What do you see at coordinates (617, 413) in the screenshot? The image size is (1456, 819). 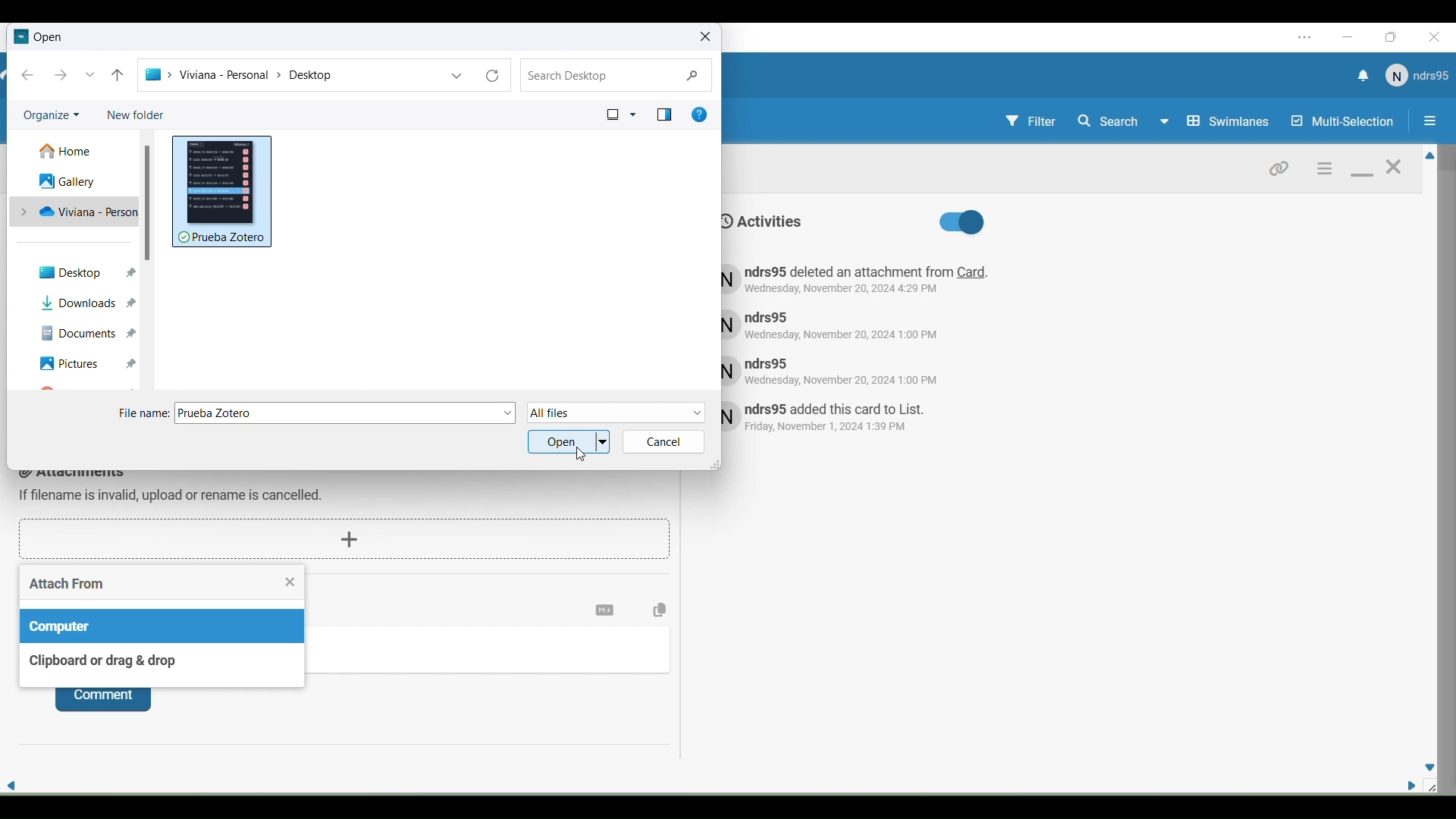 I see `All Files` at bounding box center [617, 413].